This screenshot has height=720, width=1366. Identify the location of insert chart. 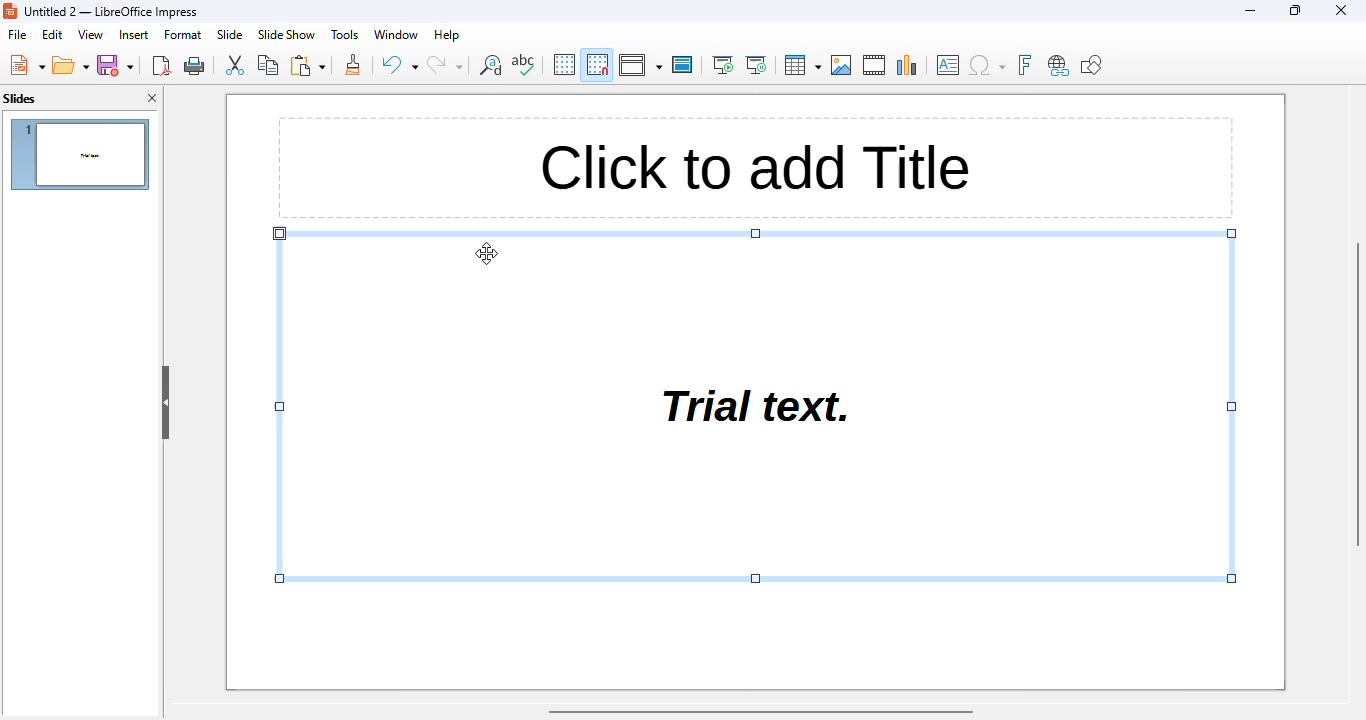
(908, 65).